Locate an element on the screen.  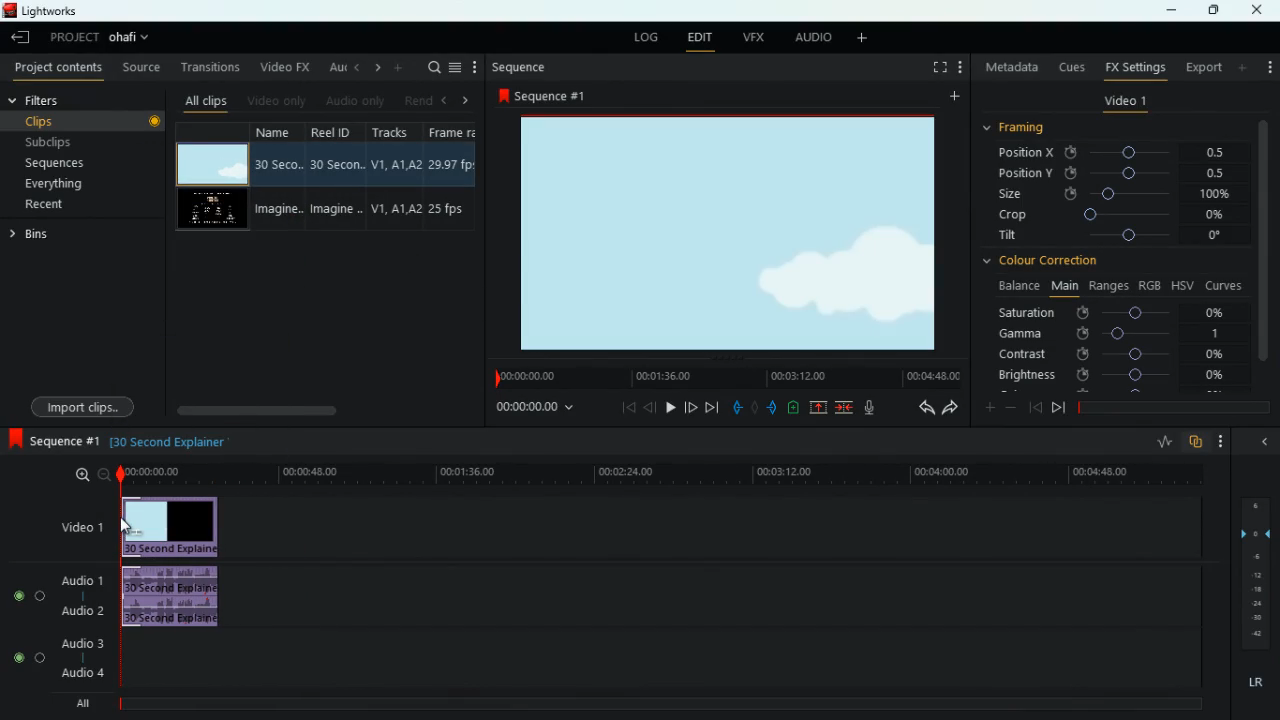
leave is located at coordinates (22, 36).